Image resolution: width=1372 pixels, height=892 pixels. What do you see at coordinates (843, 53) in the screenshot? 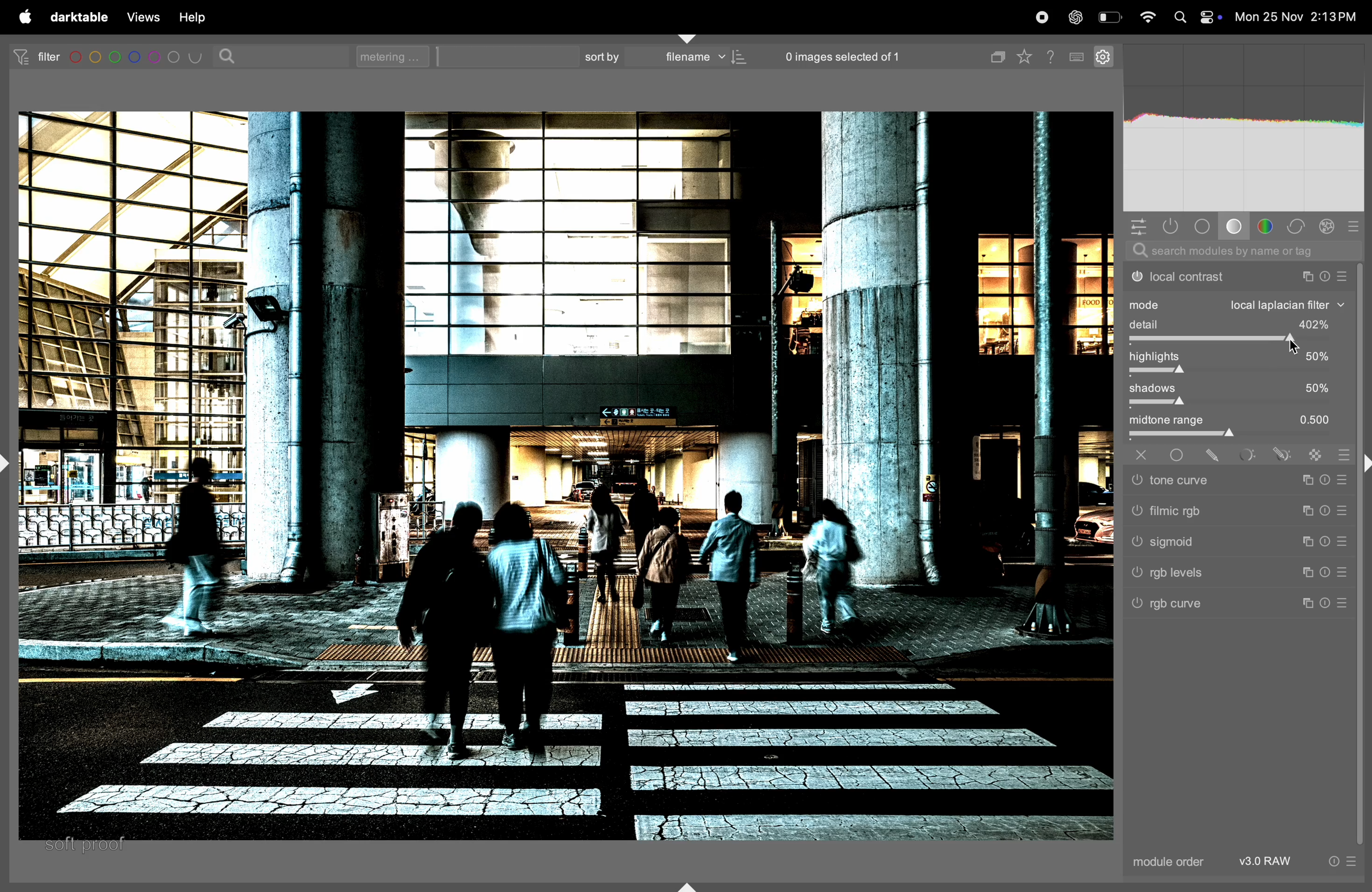
I see `0 images selected of 1` at bounding box center [843, 53].